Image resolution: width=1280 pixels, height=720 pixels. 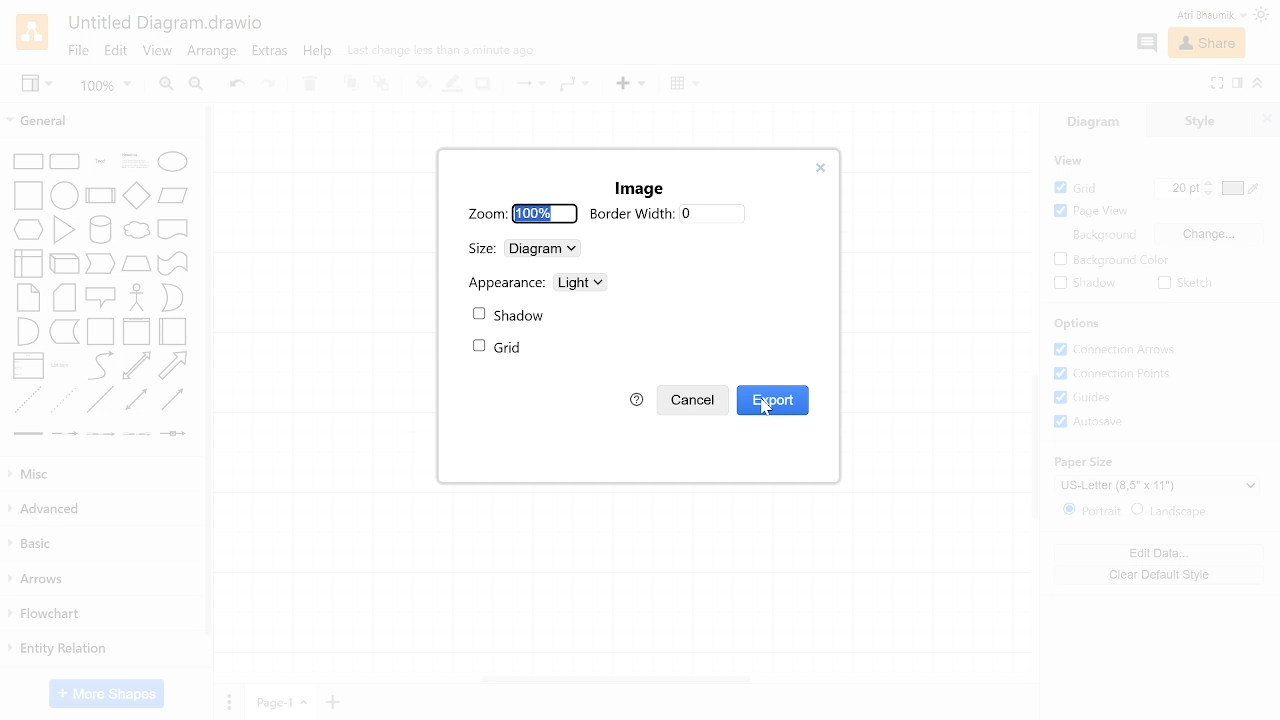 What do you see at coordinates (58, 616) in the screenshot?
I see `Flowchart` at bounding box center [58, 616].